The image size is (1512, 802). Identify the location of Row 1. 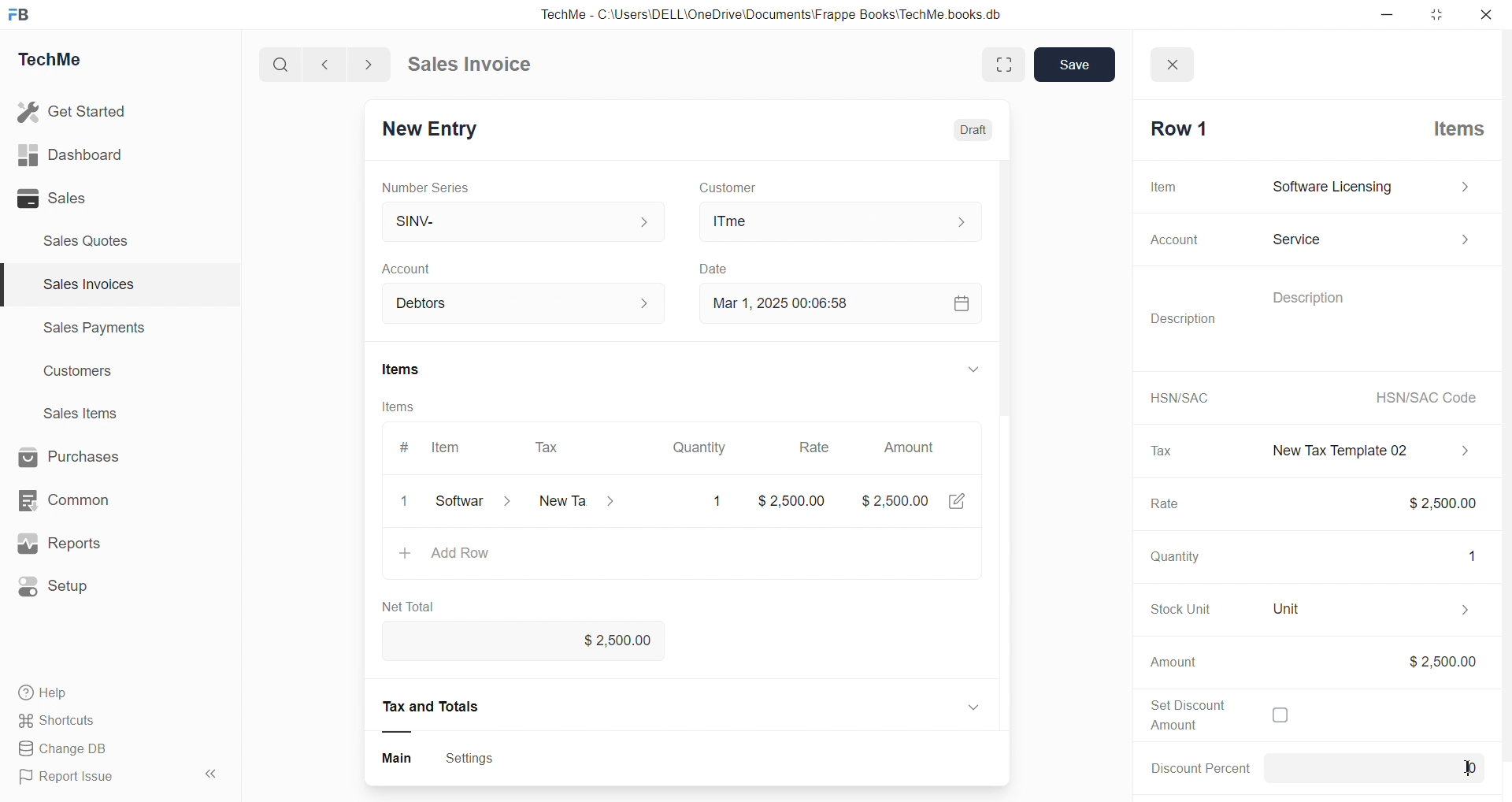
(1175, 128).